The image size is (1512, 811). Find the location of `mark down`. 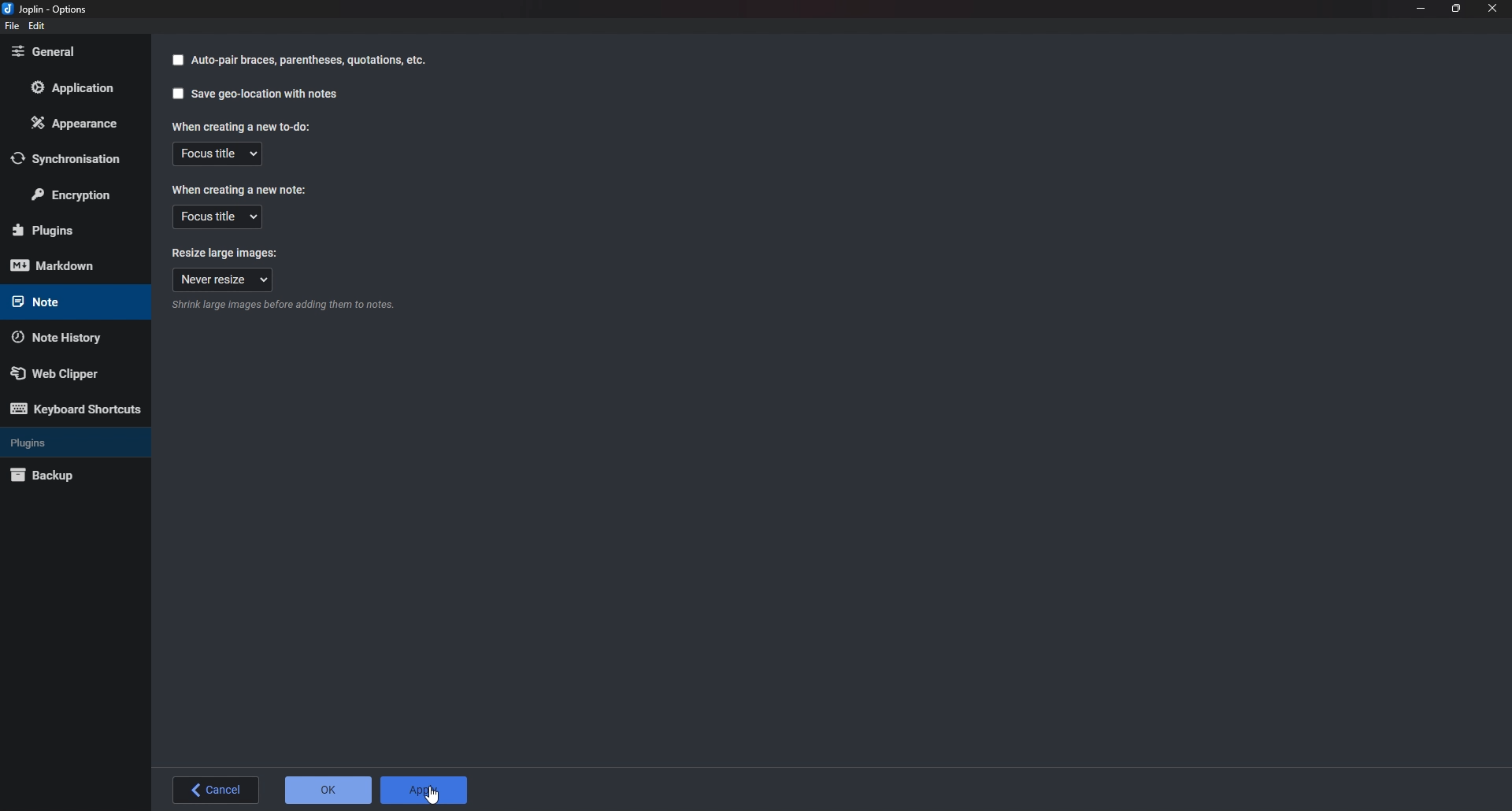

mark down is located at coordinates (69, 266).